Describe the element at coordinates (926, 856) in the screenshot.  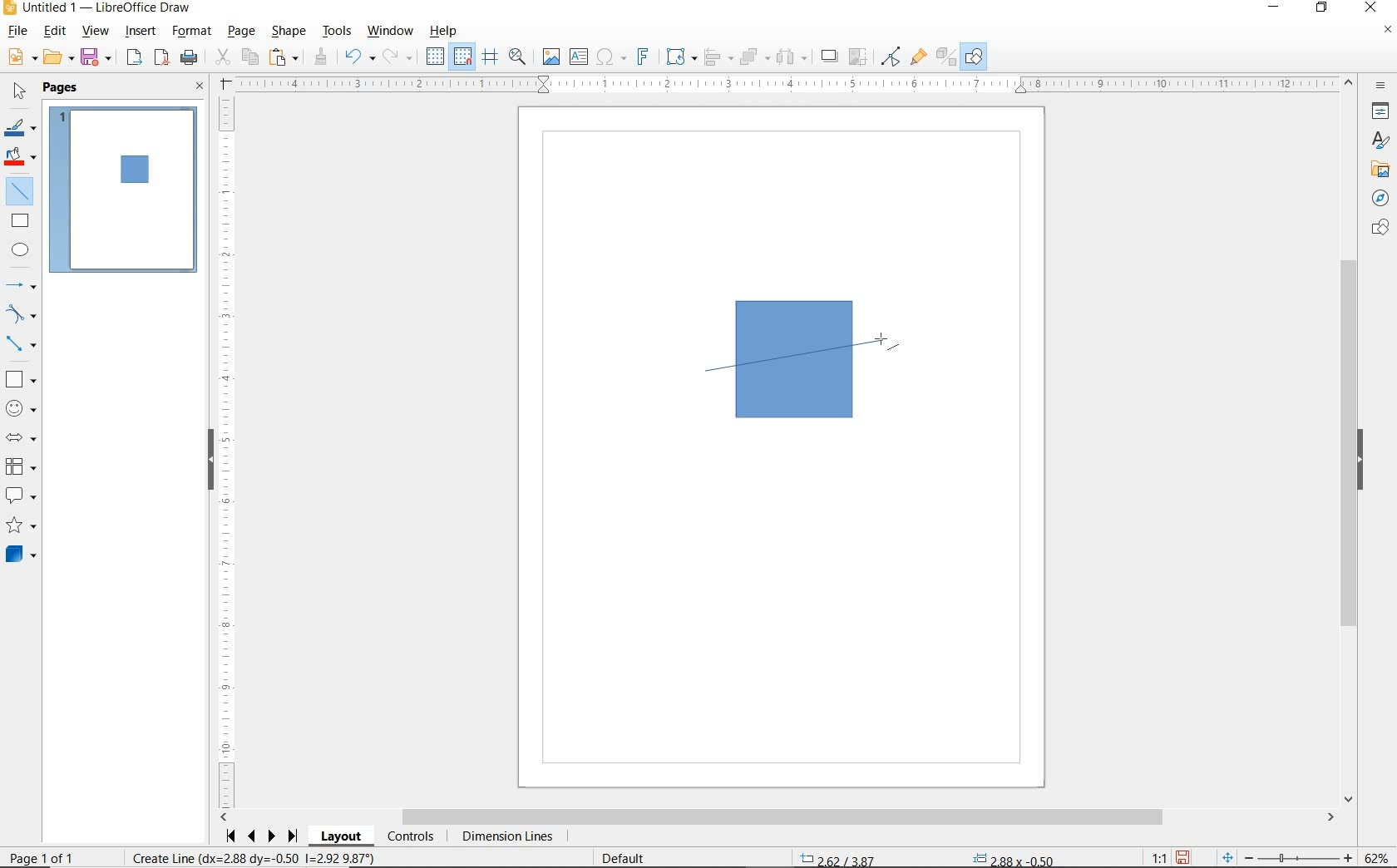
I see `STANDARD SELECTION` at that location.